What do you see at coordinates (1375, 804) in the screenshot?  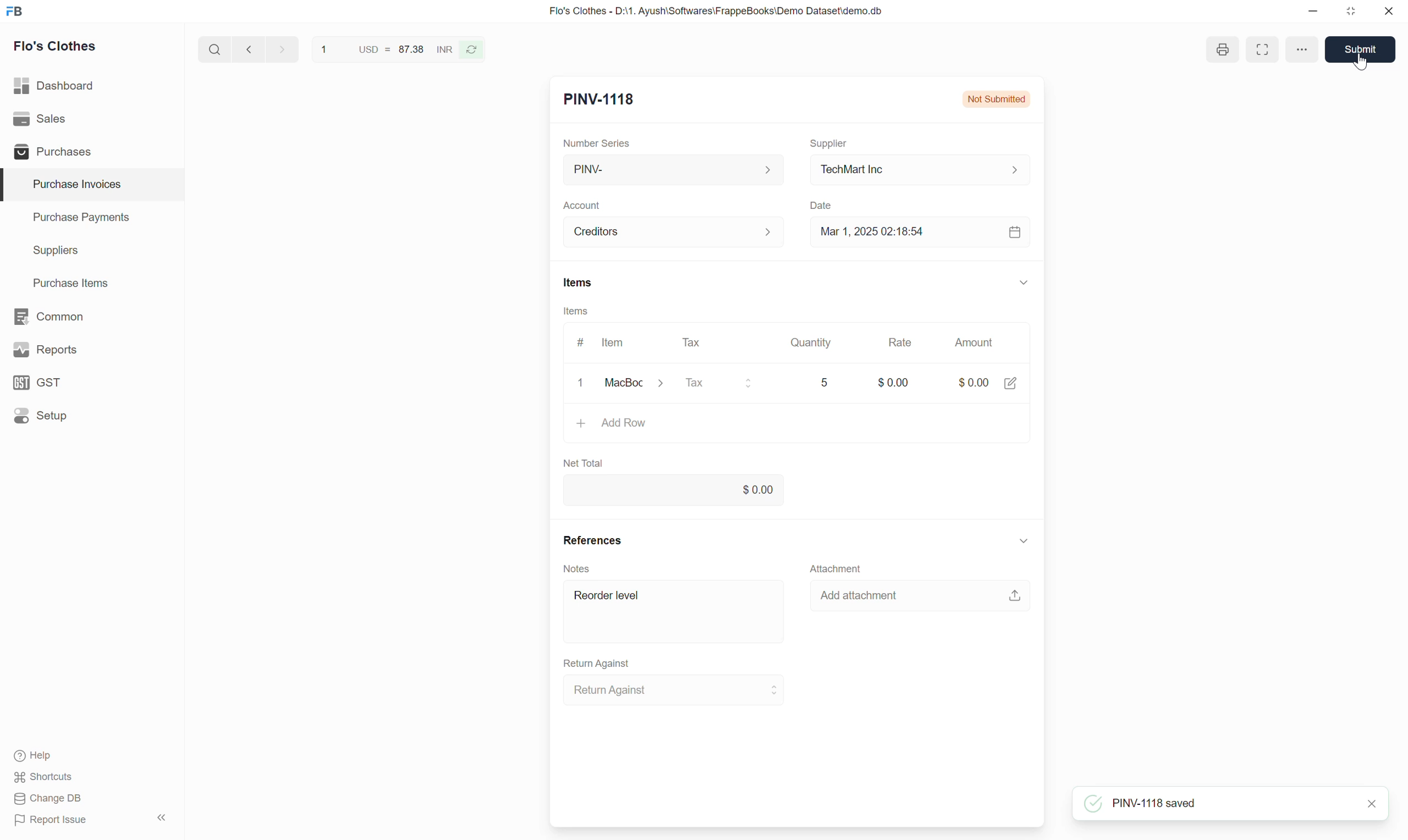 I see `close` at bounding box center [1375, 804].